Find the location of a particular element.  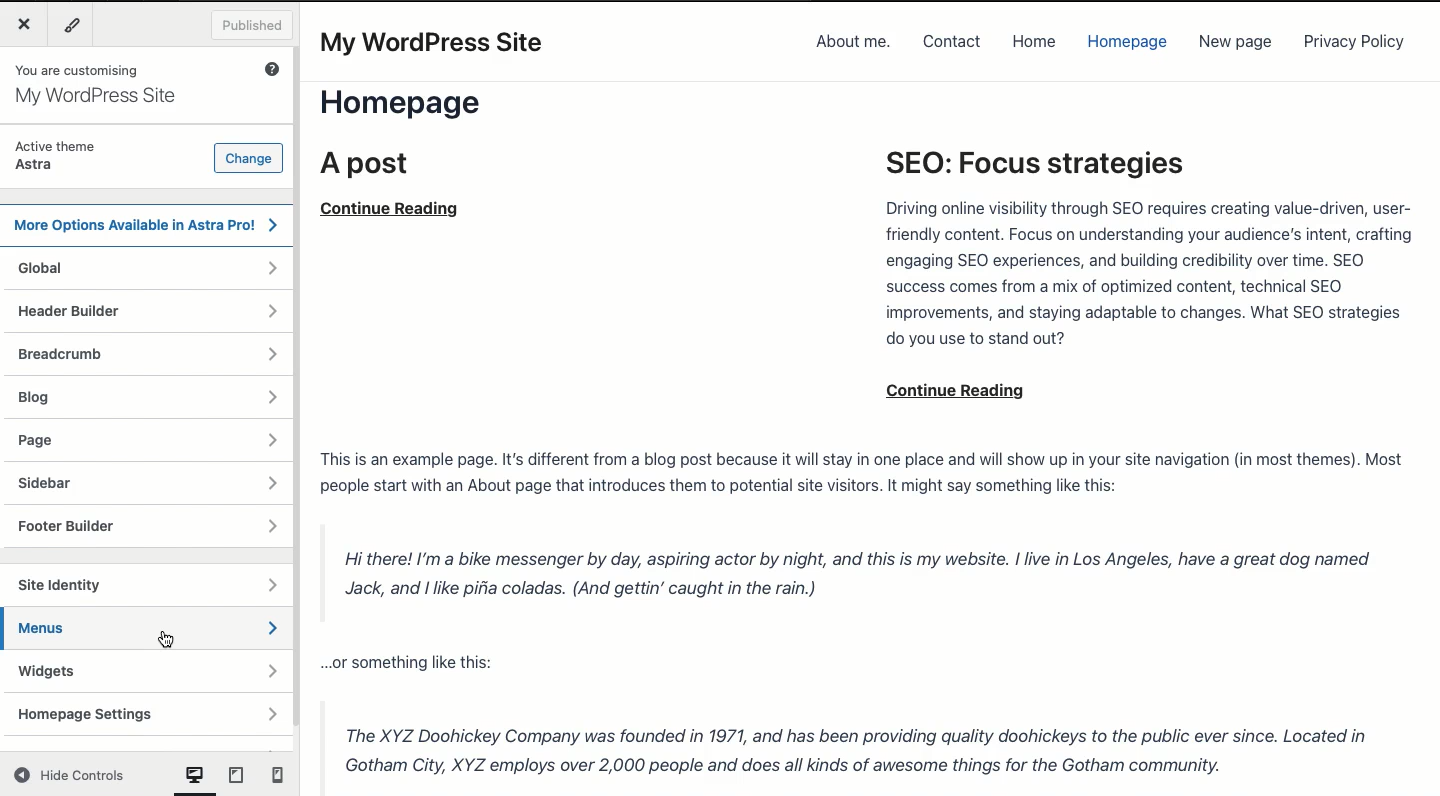

cursor is located at coordinates (167, 639).